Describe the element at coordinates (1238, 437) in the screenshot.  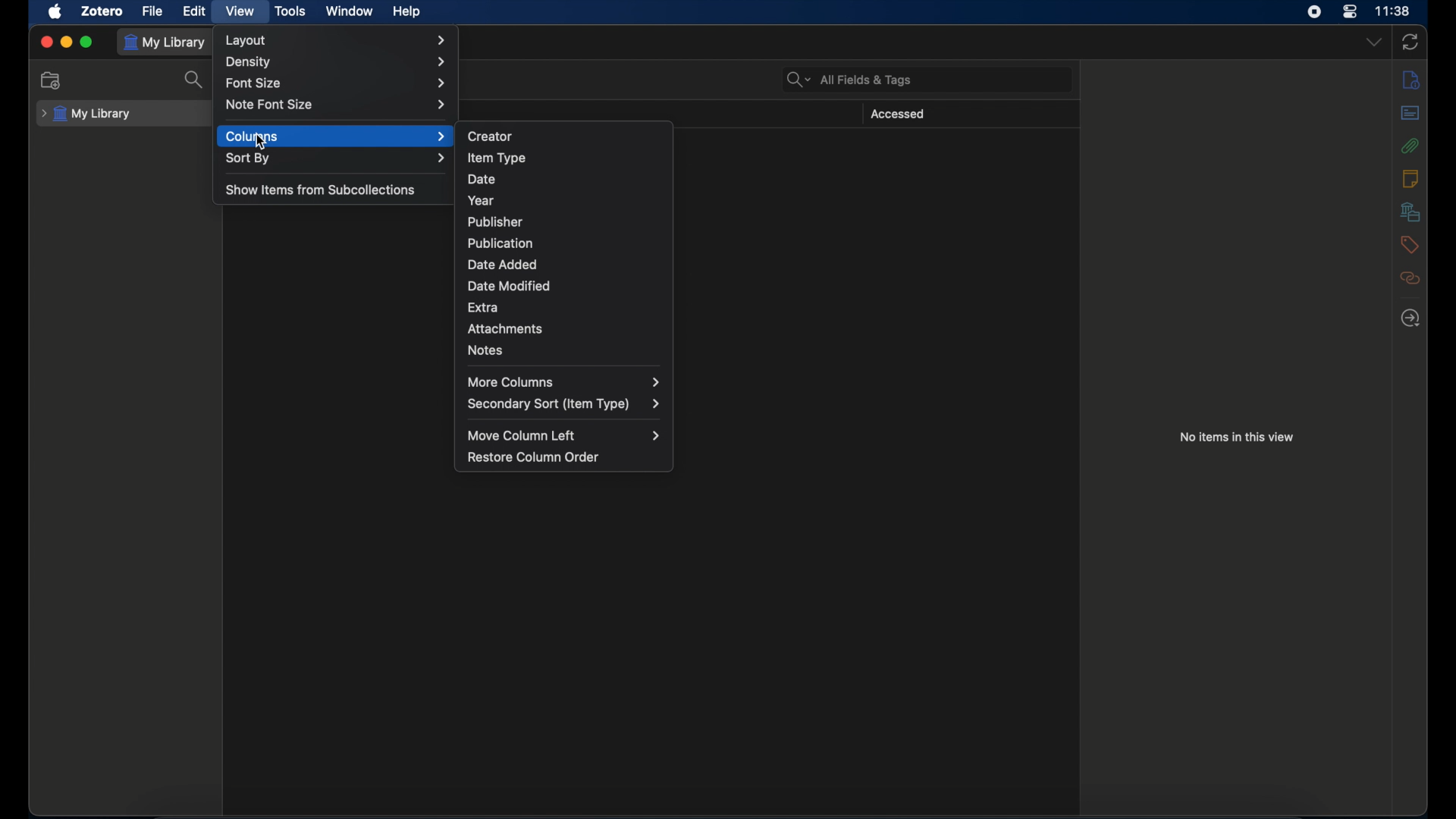
I see `no items in this view` at that location.